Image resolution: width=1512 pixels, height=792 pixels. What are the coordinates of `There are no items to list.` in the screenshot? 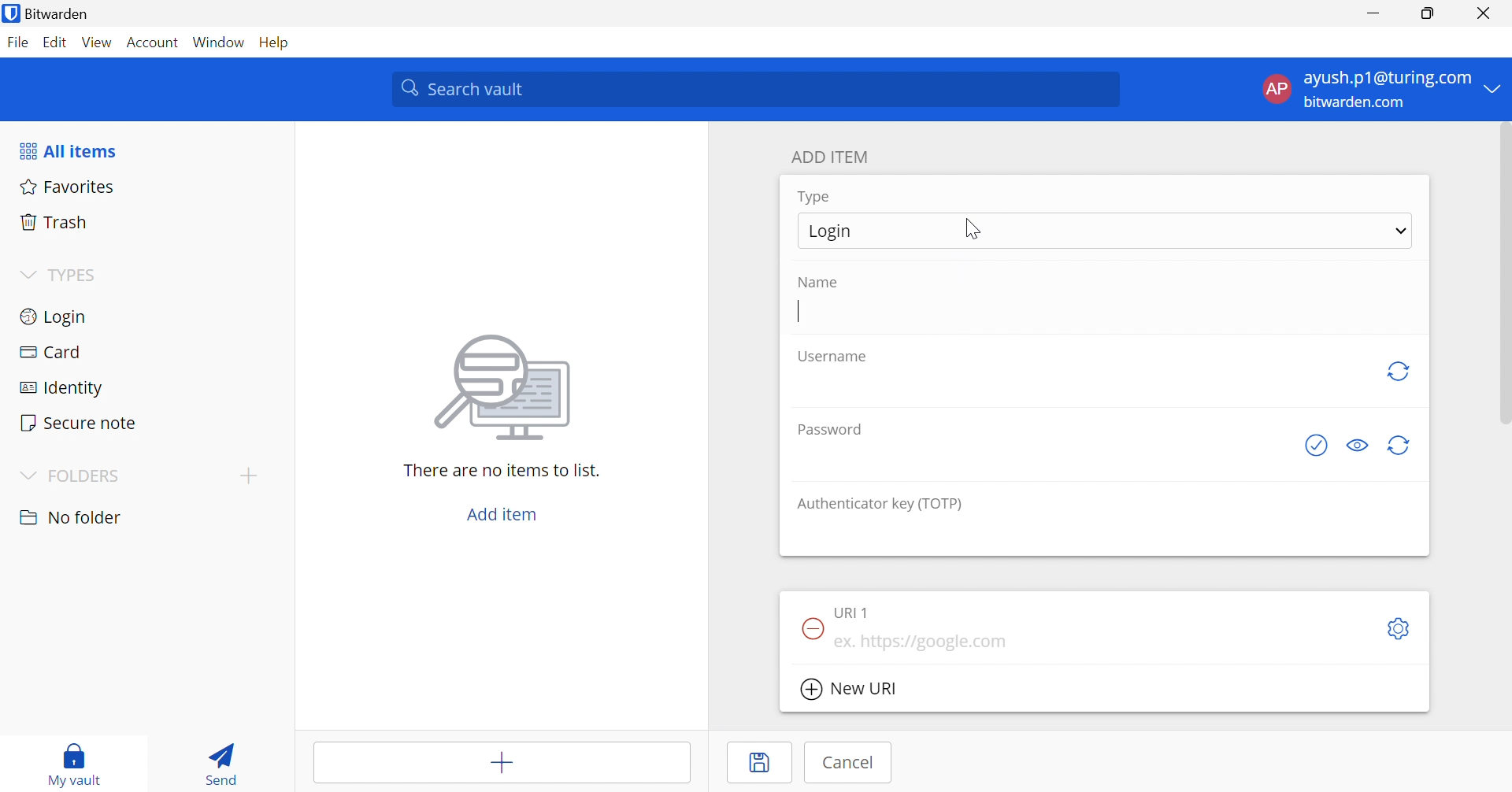 It's located at (502, 470).